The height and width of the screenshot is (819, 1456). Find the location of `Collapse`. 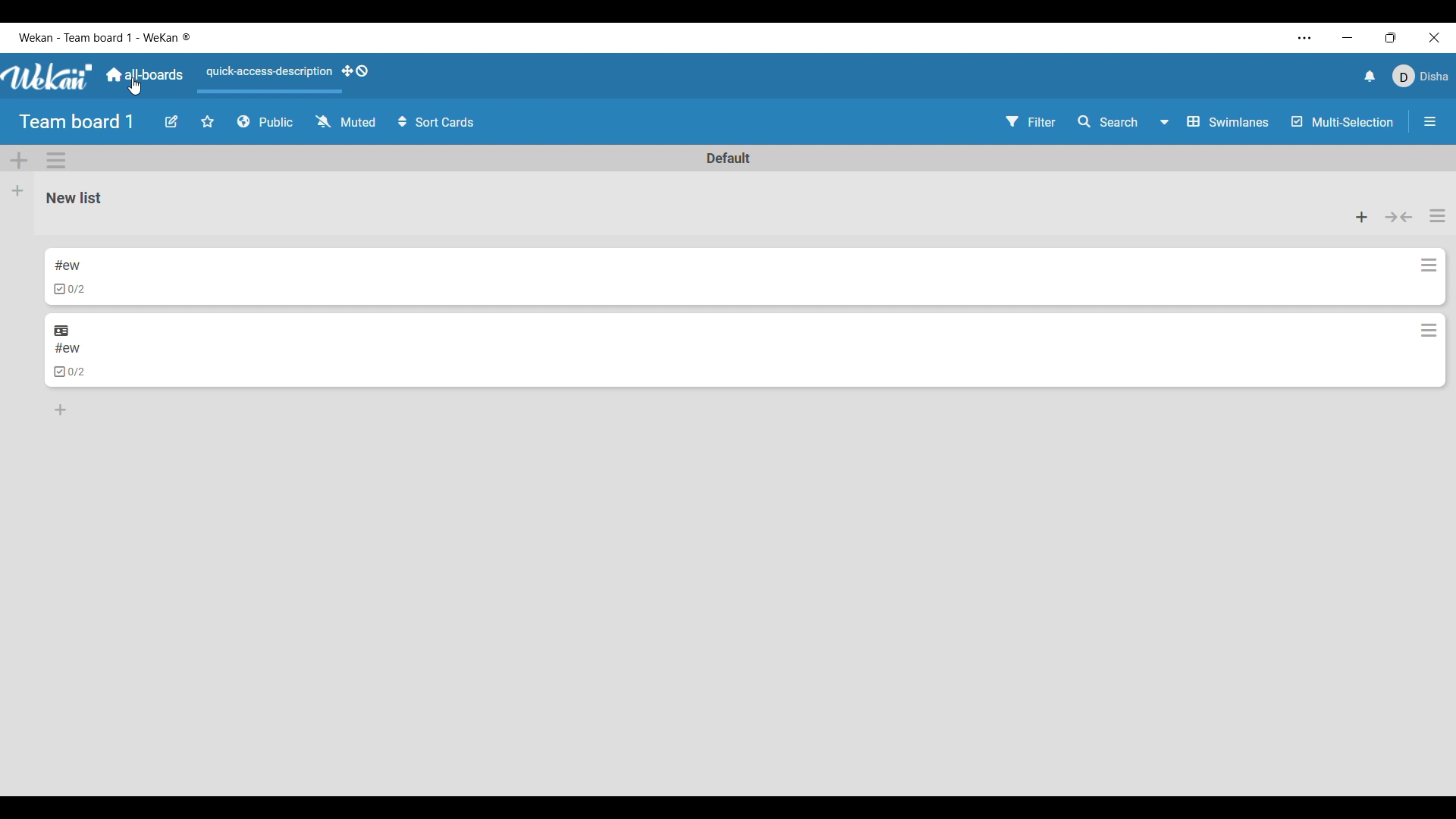

Collapse is located at coordinates (1399, 217).